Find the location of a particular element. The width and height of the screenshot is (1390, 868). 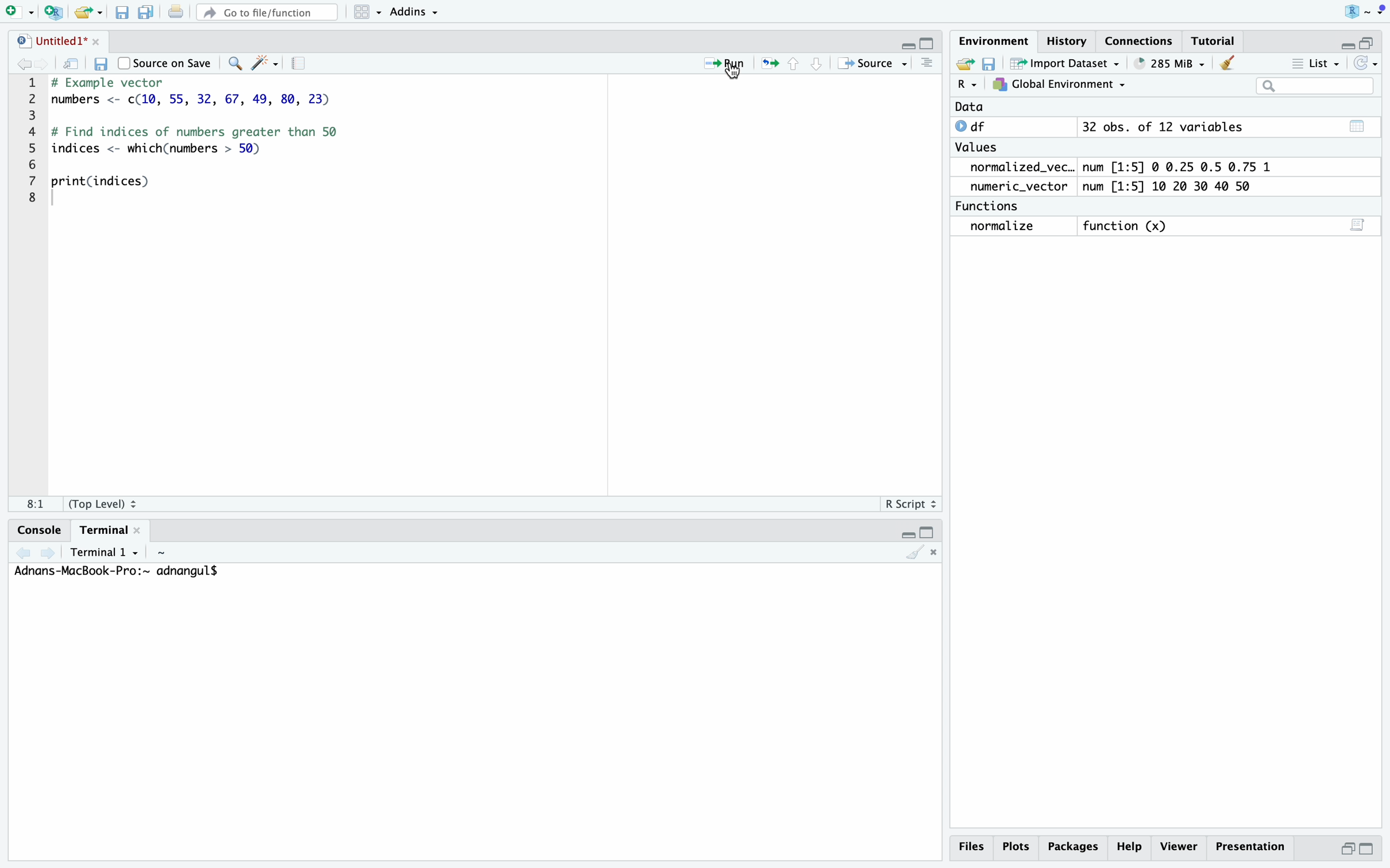

MINIMISE is located at coordinates (907, 41).